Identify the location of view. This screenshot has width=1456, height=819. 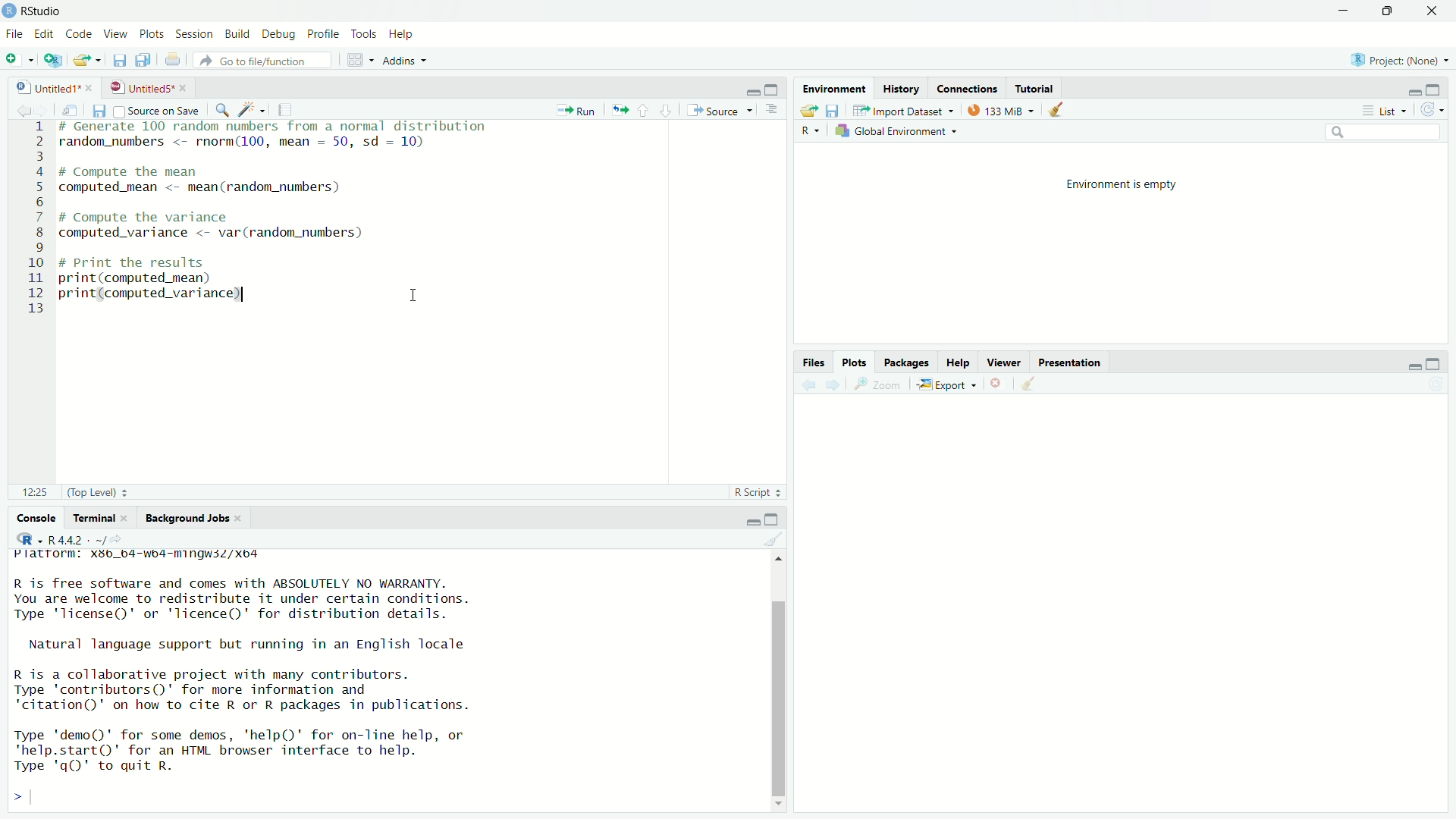
(118, 35).